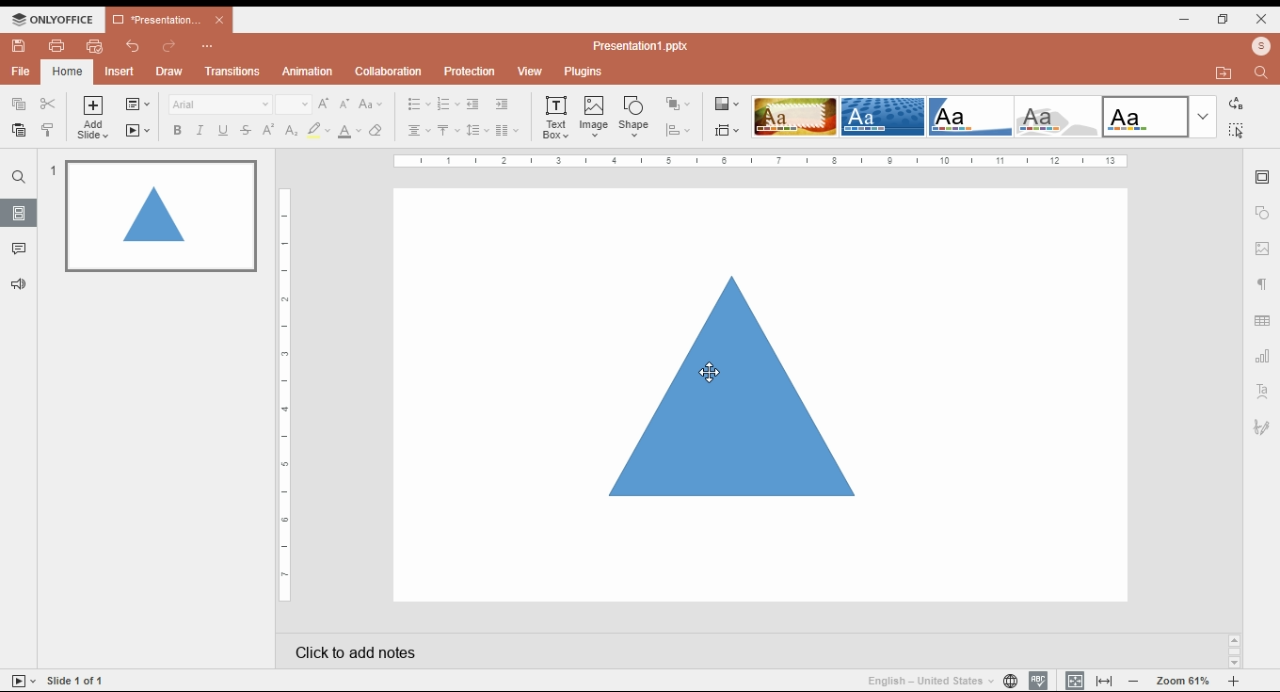 The image size is (1280, 692). I want to click on file, so click(21, 71).